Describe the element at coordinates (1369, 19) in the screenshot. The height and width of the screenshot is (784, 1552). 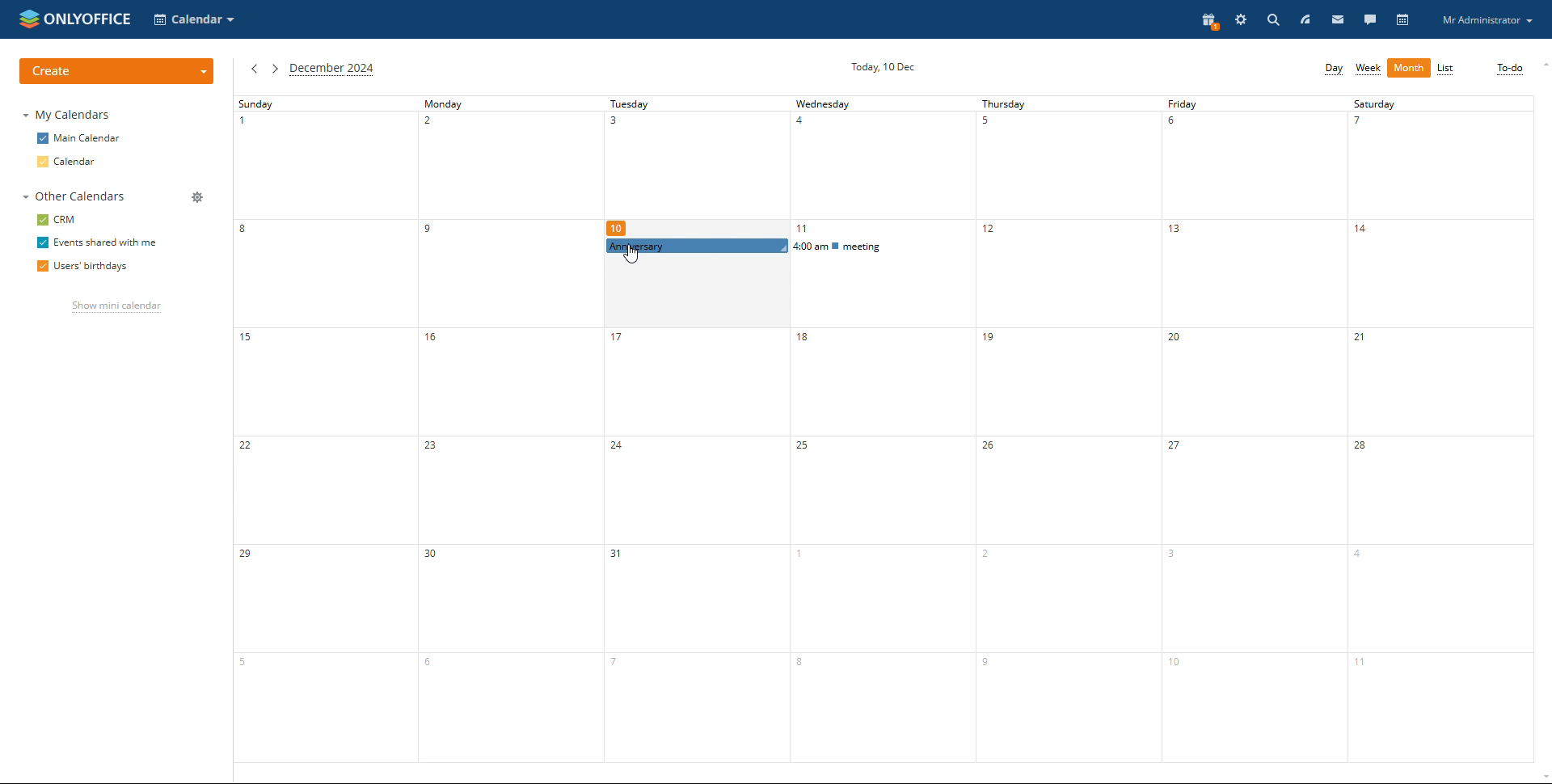
I see `talk` at that location.